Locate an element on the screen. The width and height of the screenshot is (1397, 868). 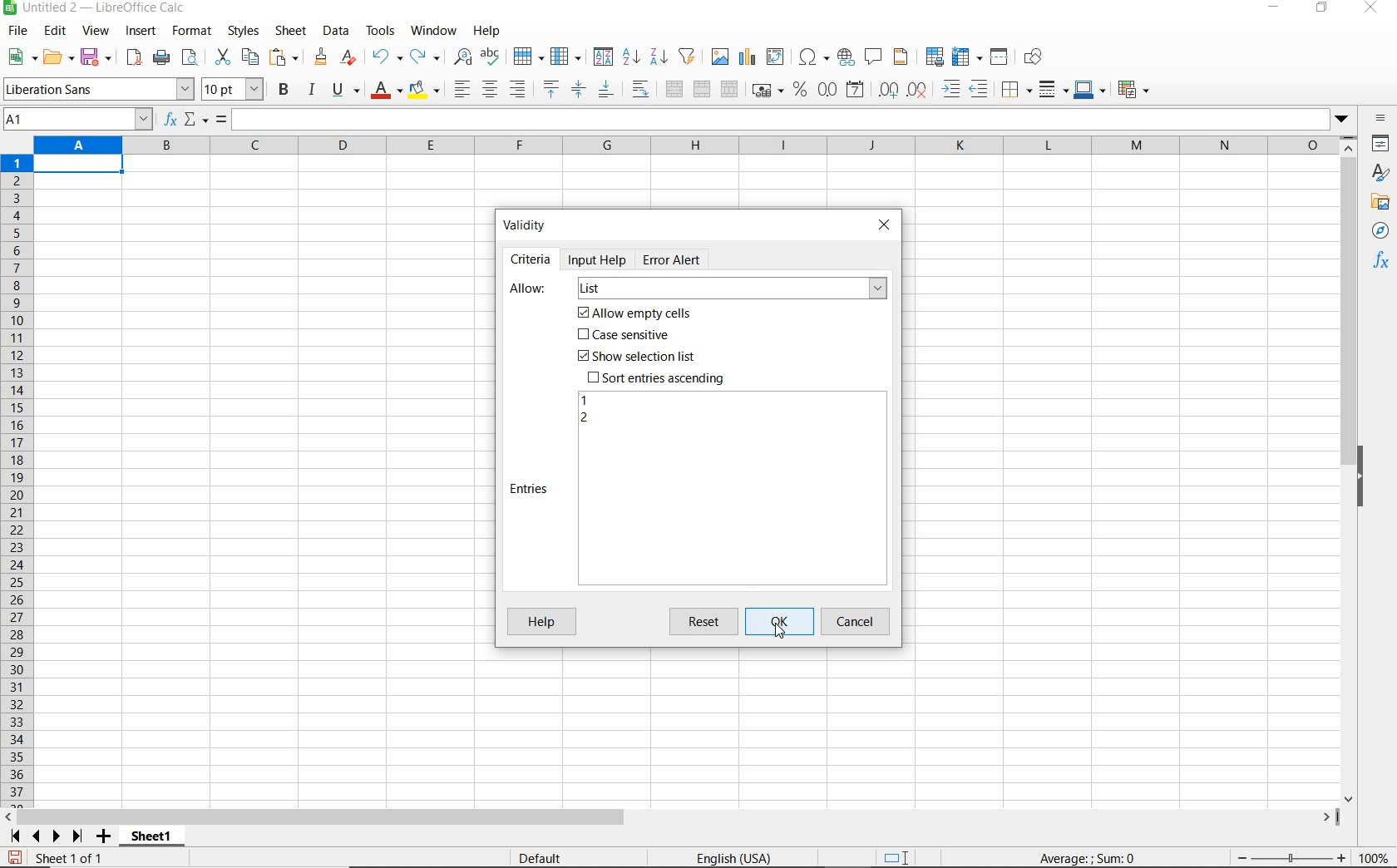
Help is located at coordinates (540, 623).